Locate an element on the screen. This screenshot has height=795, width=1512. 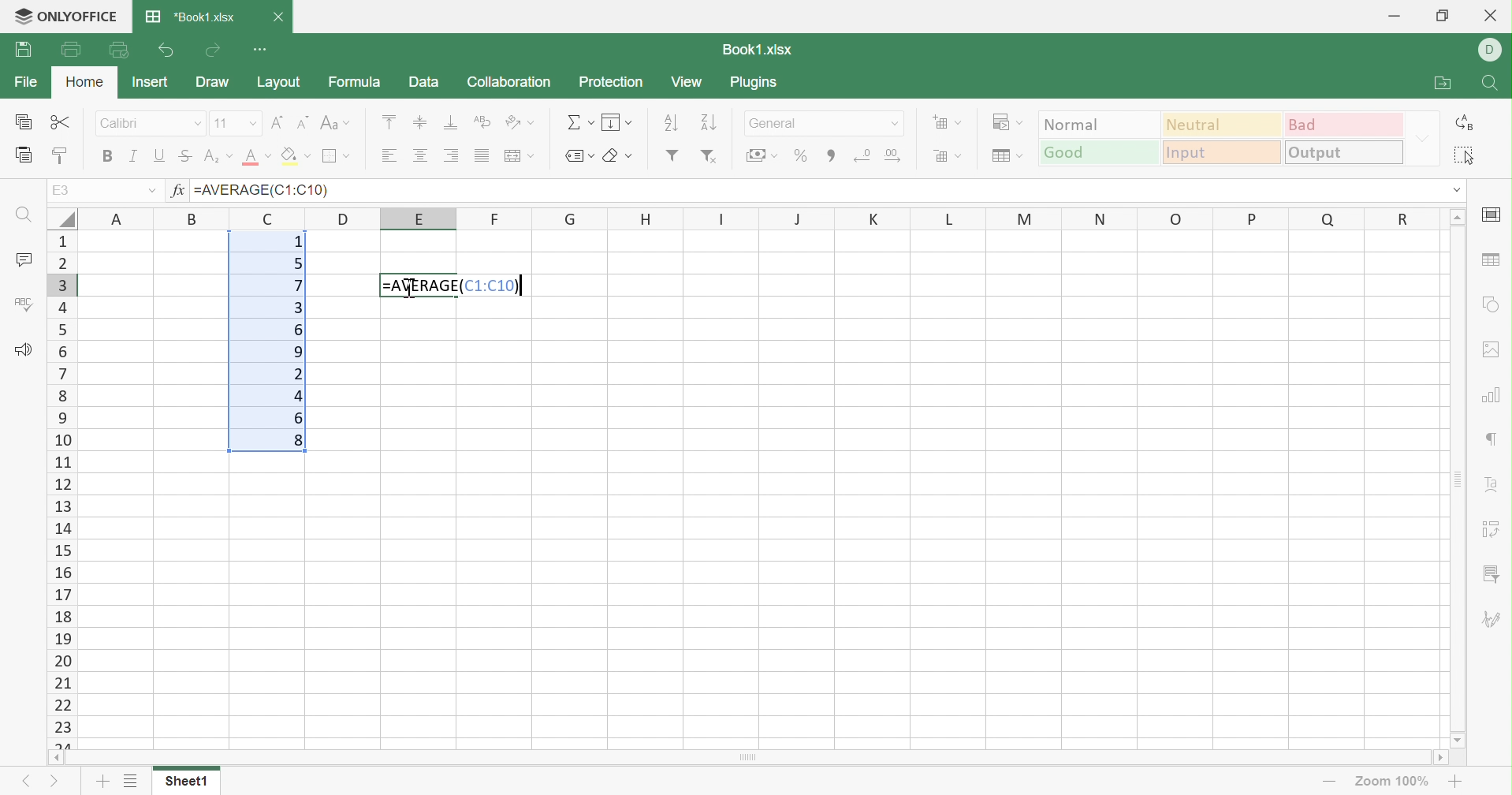
Ascending order is located at coordinates (669, 123).